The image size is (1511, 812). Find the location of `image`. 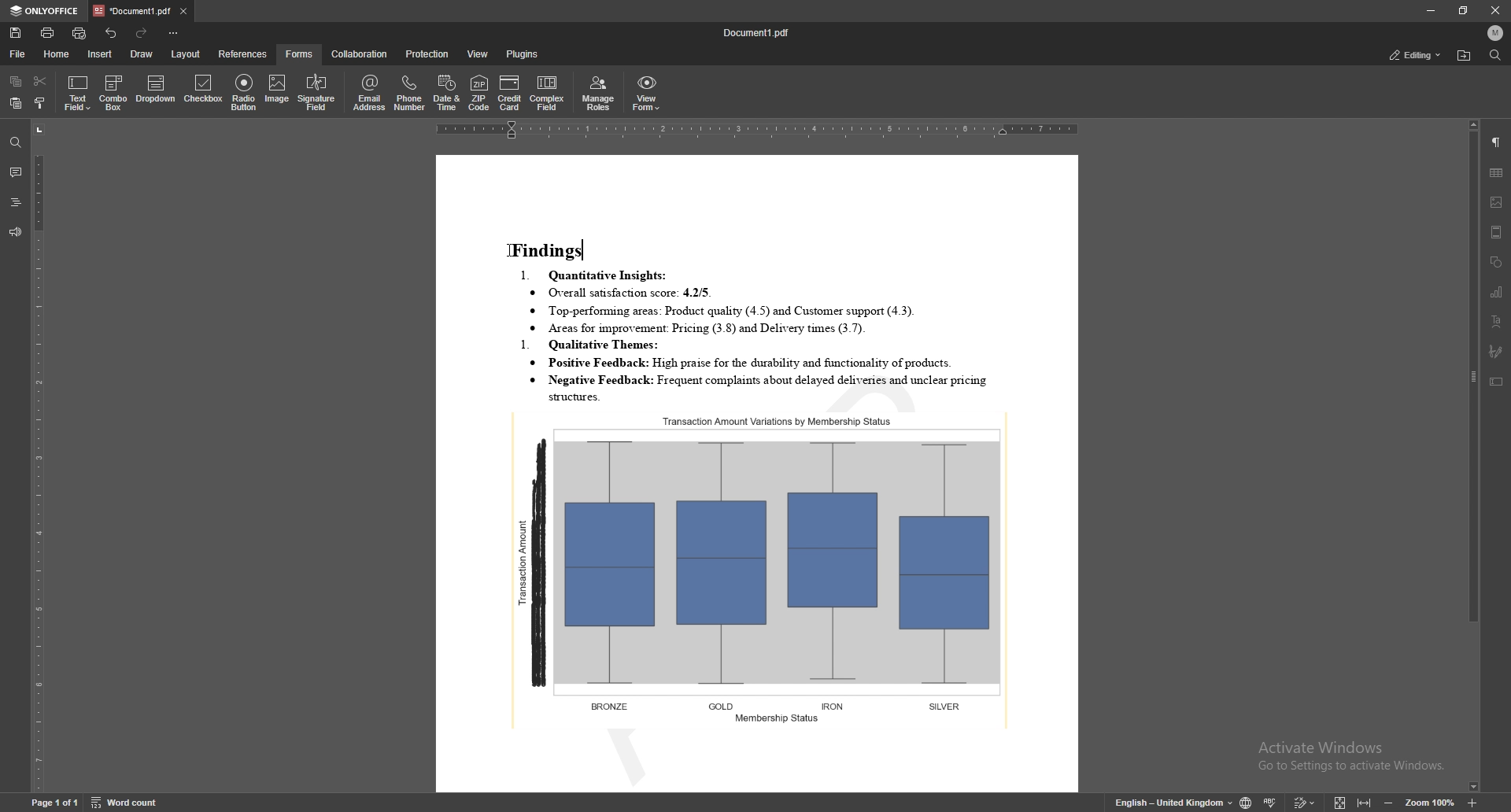

image is located at coordinates (279, 90).